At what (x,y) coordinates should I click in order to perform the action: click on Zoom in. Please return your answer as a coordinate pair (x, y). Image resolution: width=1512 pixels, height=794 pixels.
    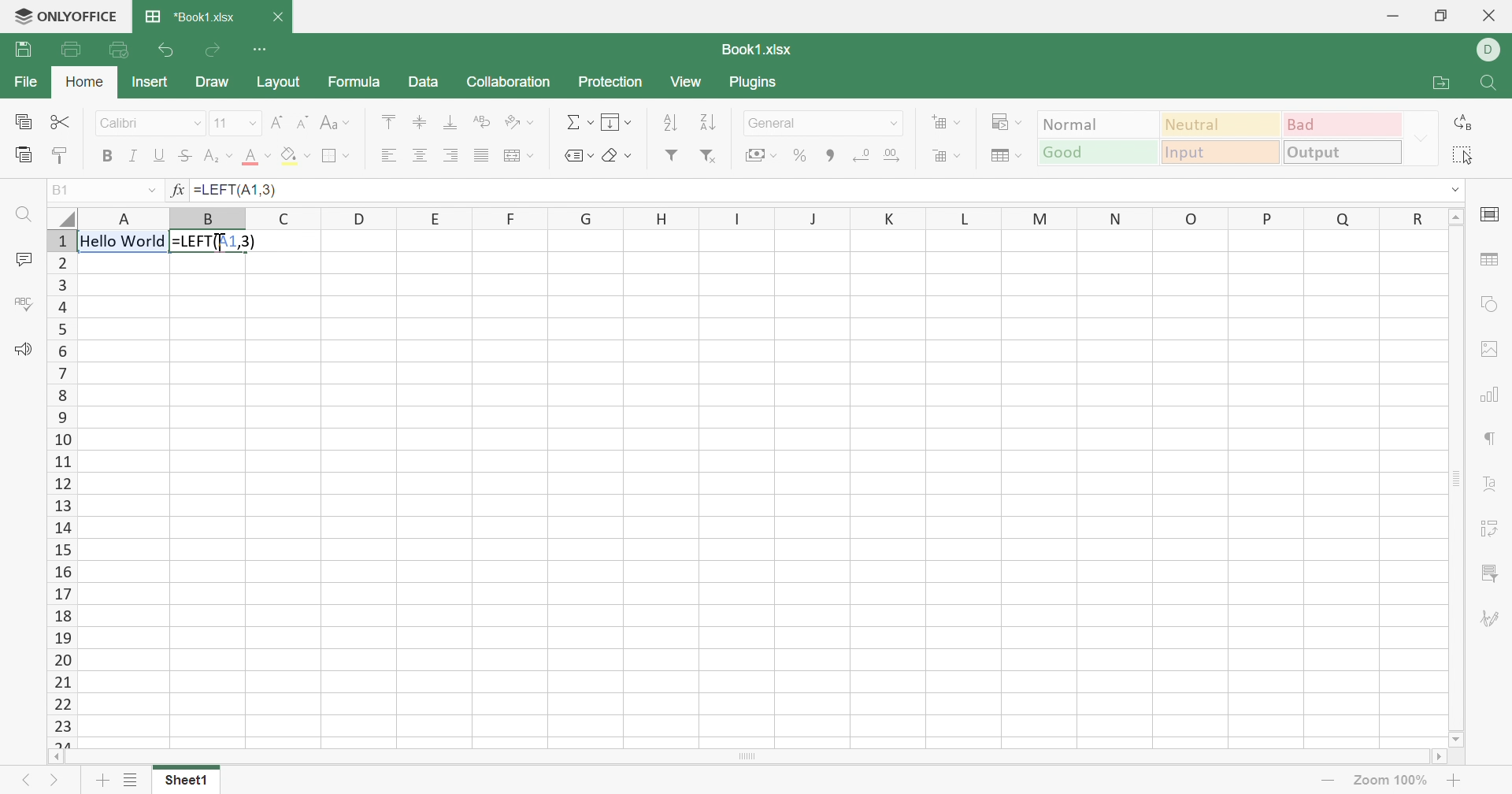
    Looking at the image, I should click on (1454, 781).